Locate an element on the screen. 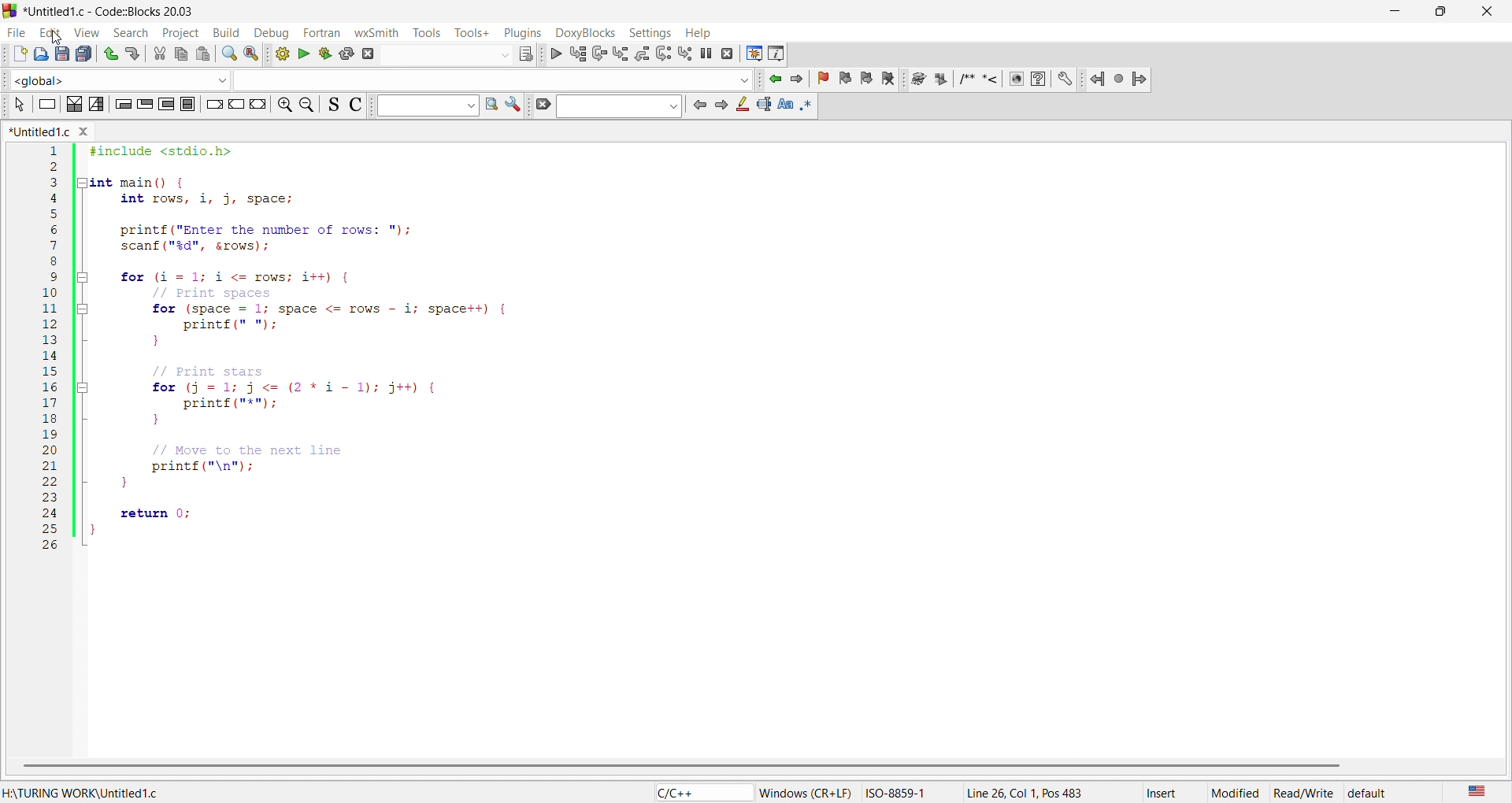  folder location is located at coordinates (90, 791).